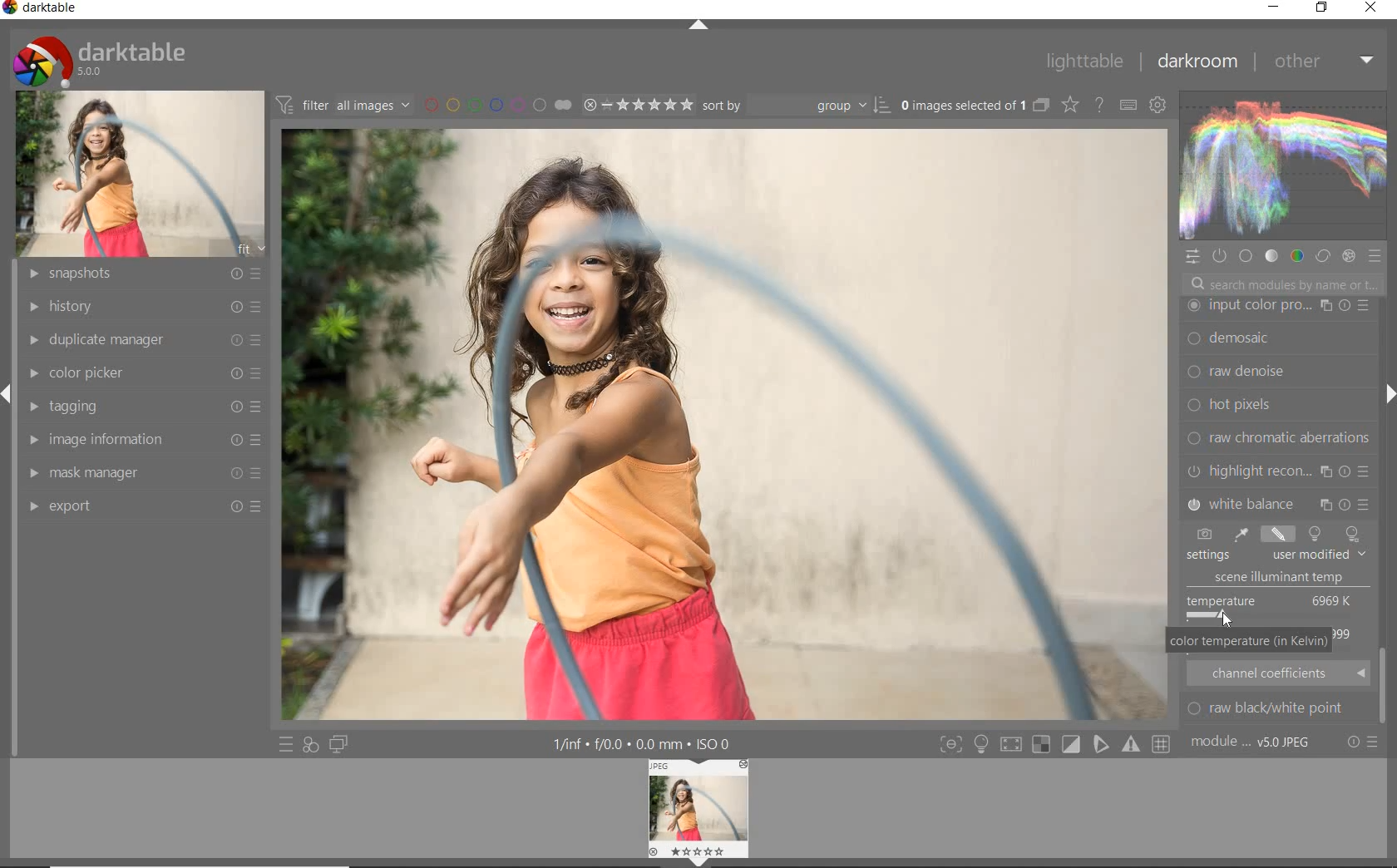 The width and height of the screenshot is (1397, 868). I want to click on preset, so click(1377, 259).